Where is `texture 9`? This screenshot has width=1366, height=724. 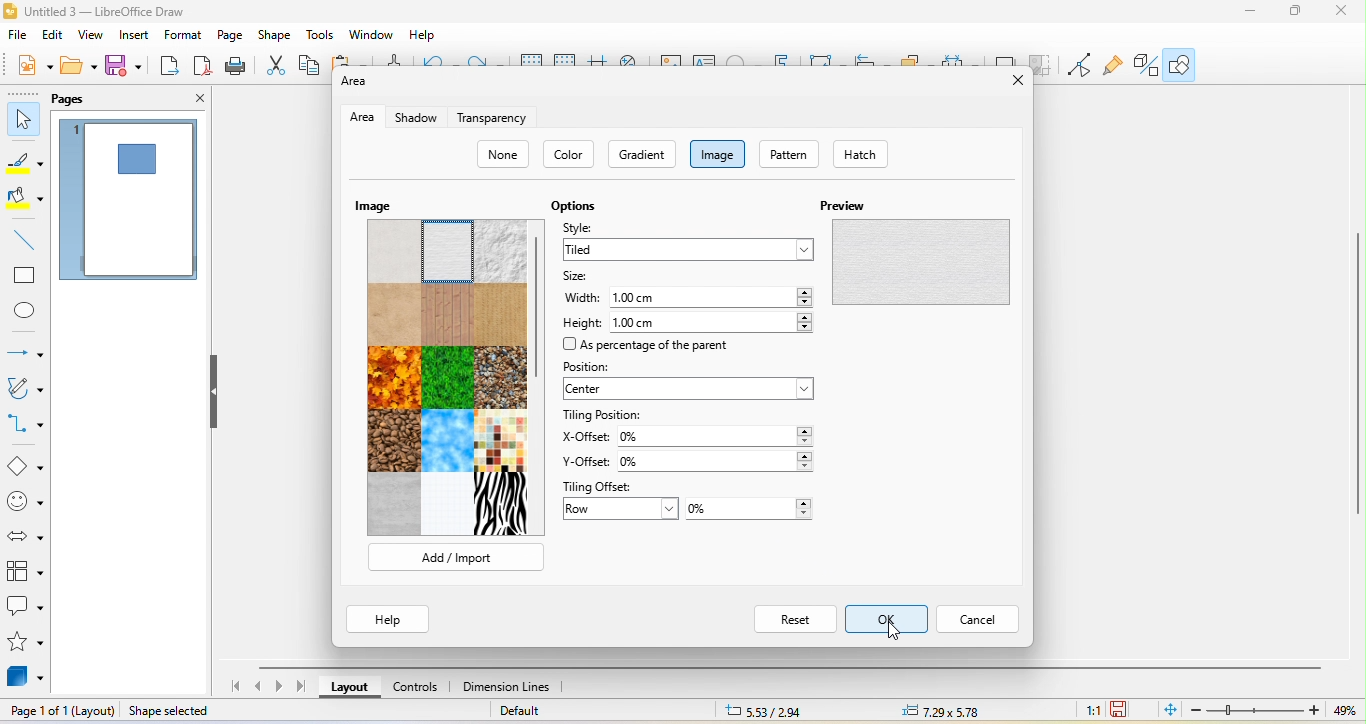
texture 9 is located at coordinates (502, 376).